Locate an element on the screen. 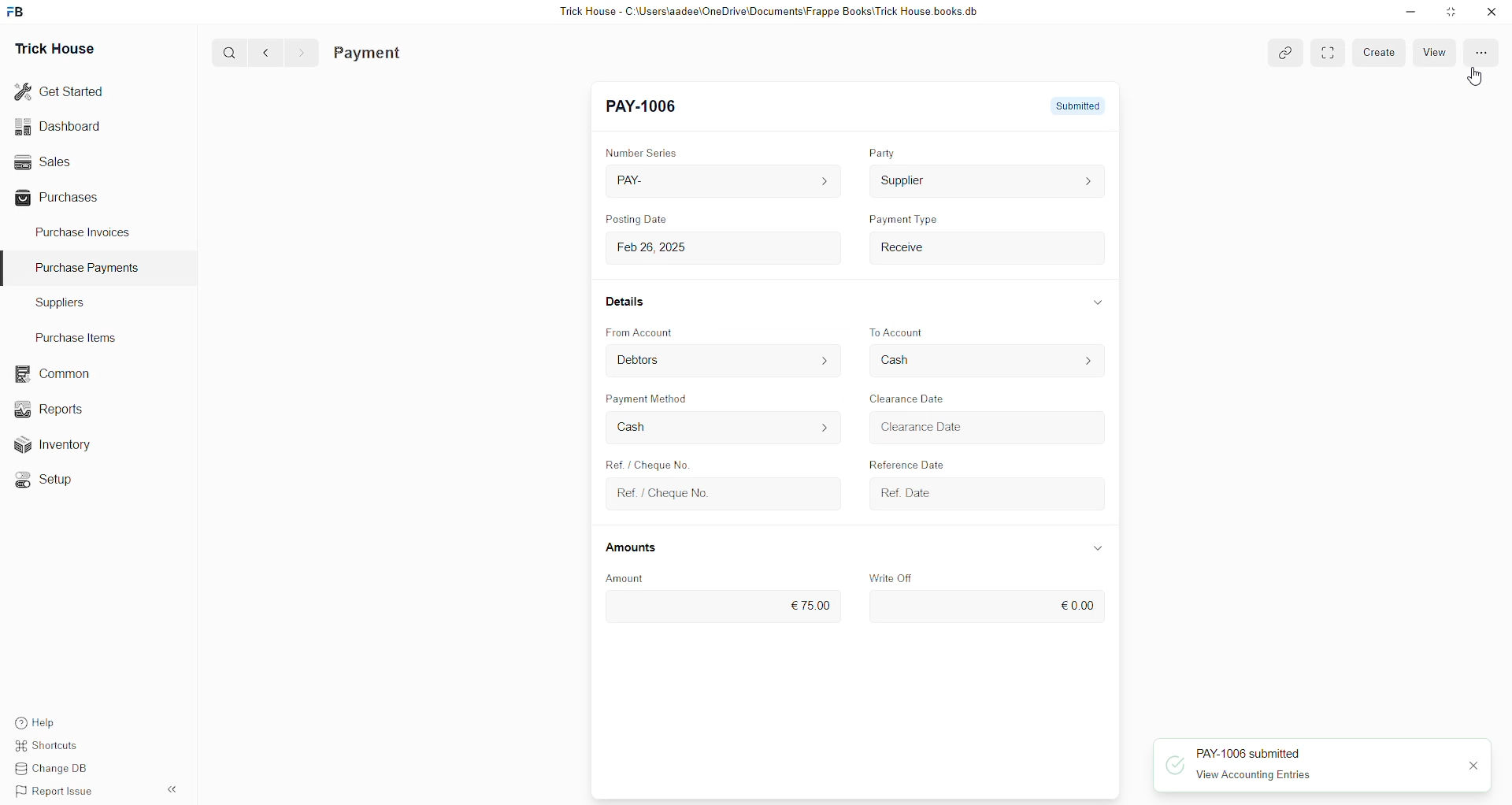  Purchase Payments is located at coordinates (92, 268).